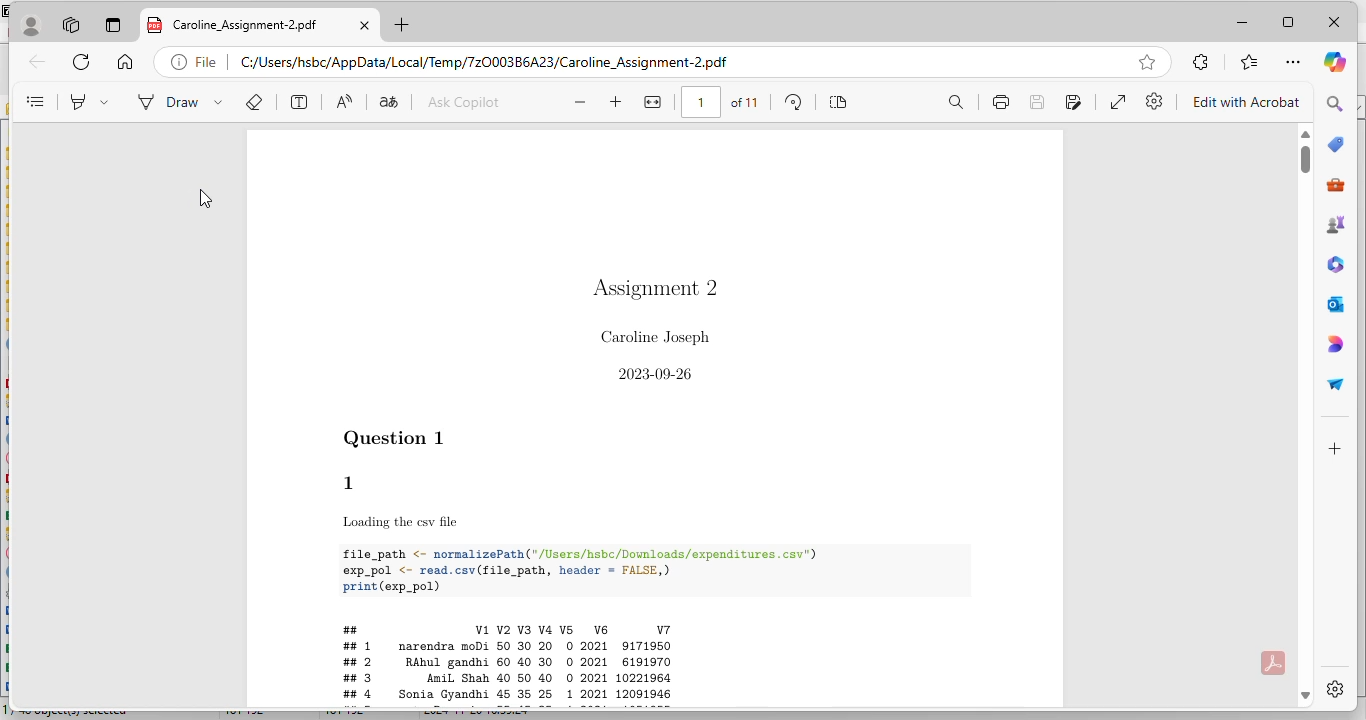  I want to click on link, so click(493, 62).